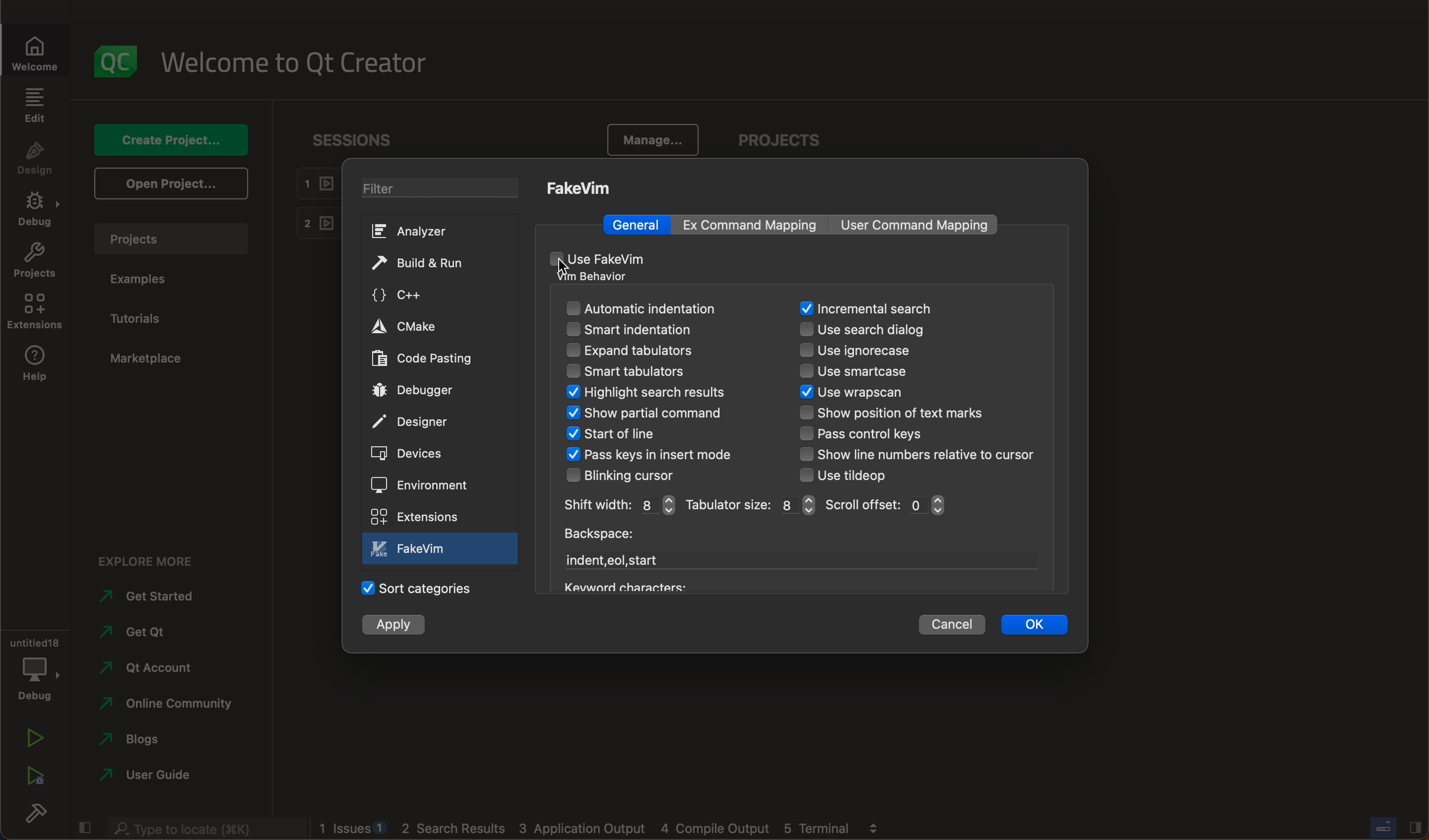  I want to click on close slide bar, so click(83, 829).